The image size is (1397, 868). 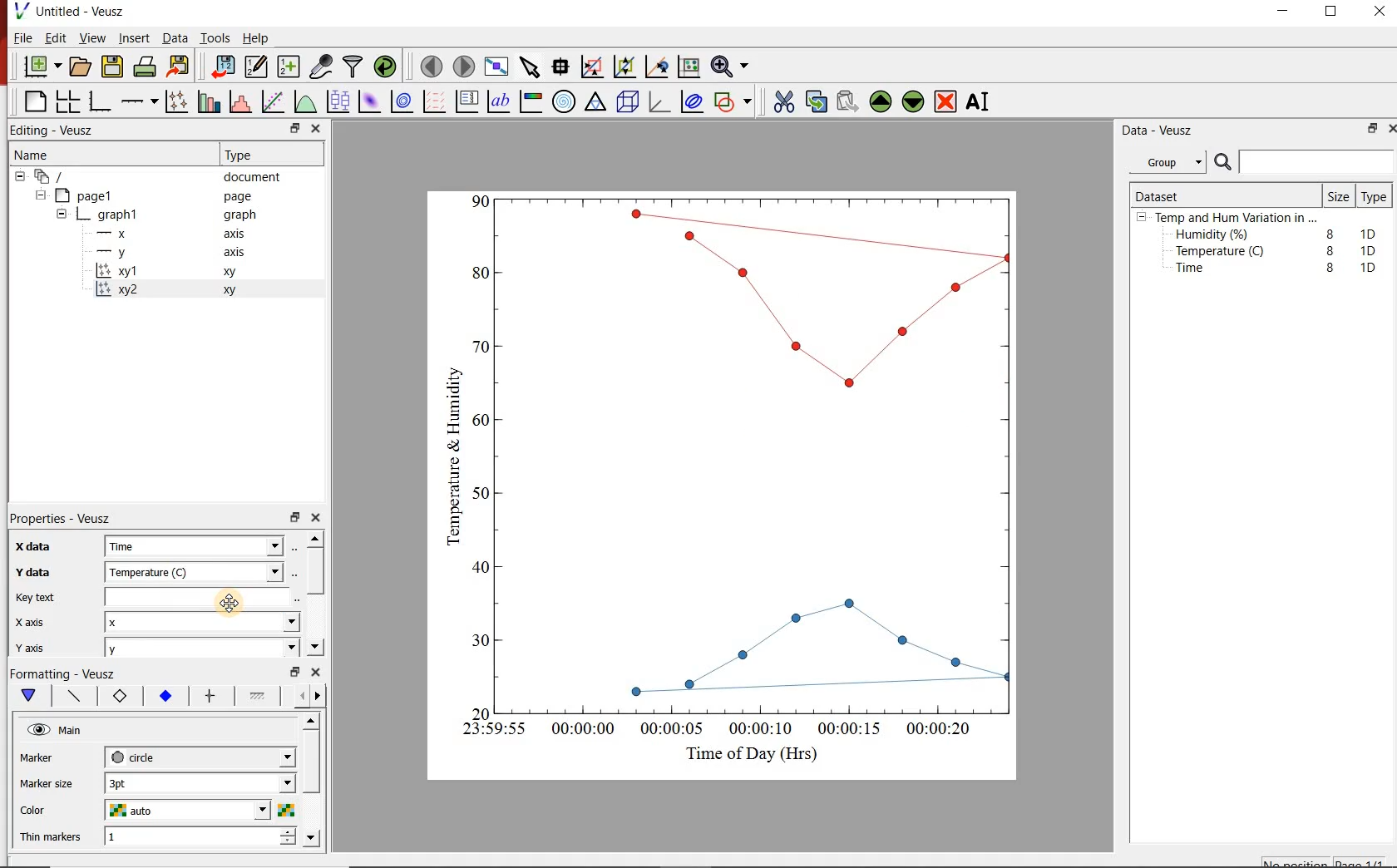 What do you see at coordinates (70, 99) in the screenshot?
I see `arrange graphs in a grid` at bounding box center [70, 99].